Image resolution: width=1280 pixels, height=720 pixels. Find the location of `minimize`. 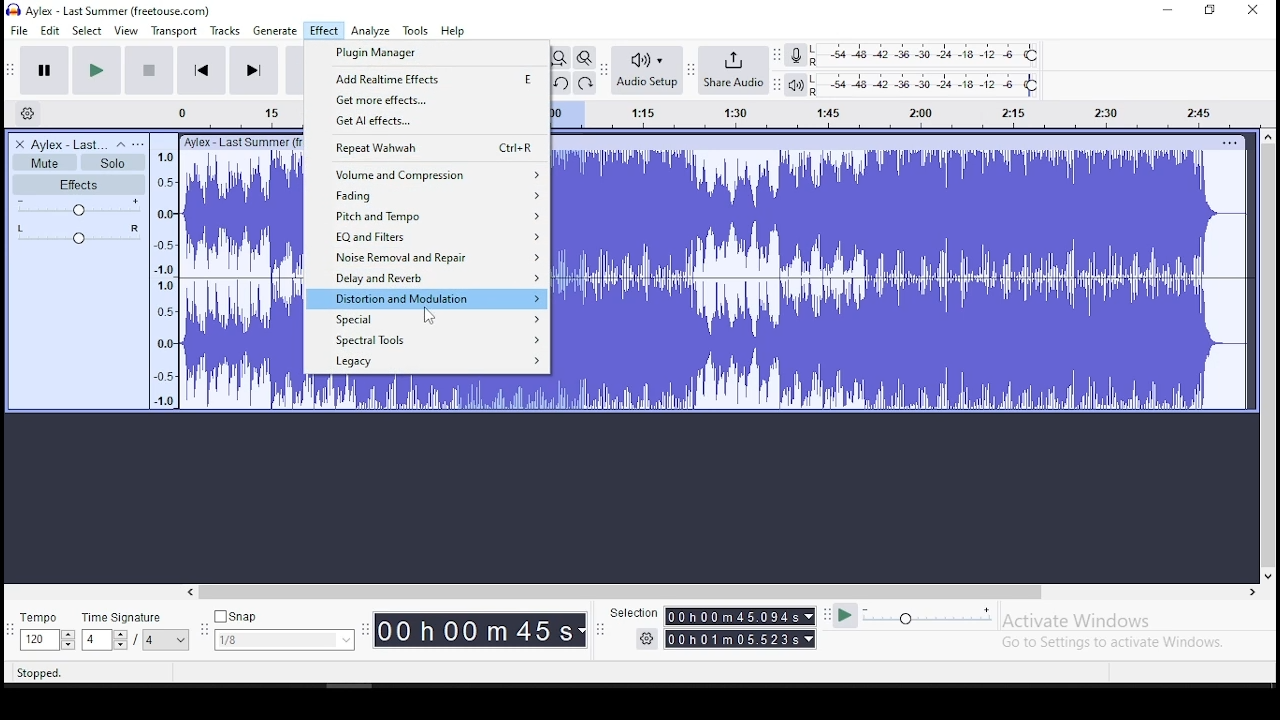

minimize is located at coordinates (1168, 10).